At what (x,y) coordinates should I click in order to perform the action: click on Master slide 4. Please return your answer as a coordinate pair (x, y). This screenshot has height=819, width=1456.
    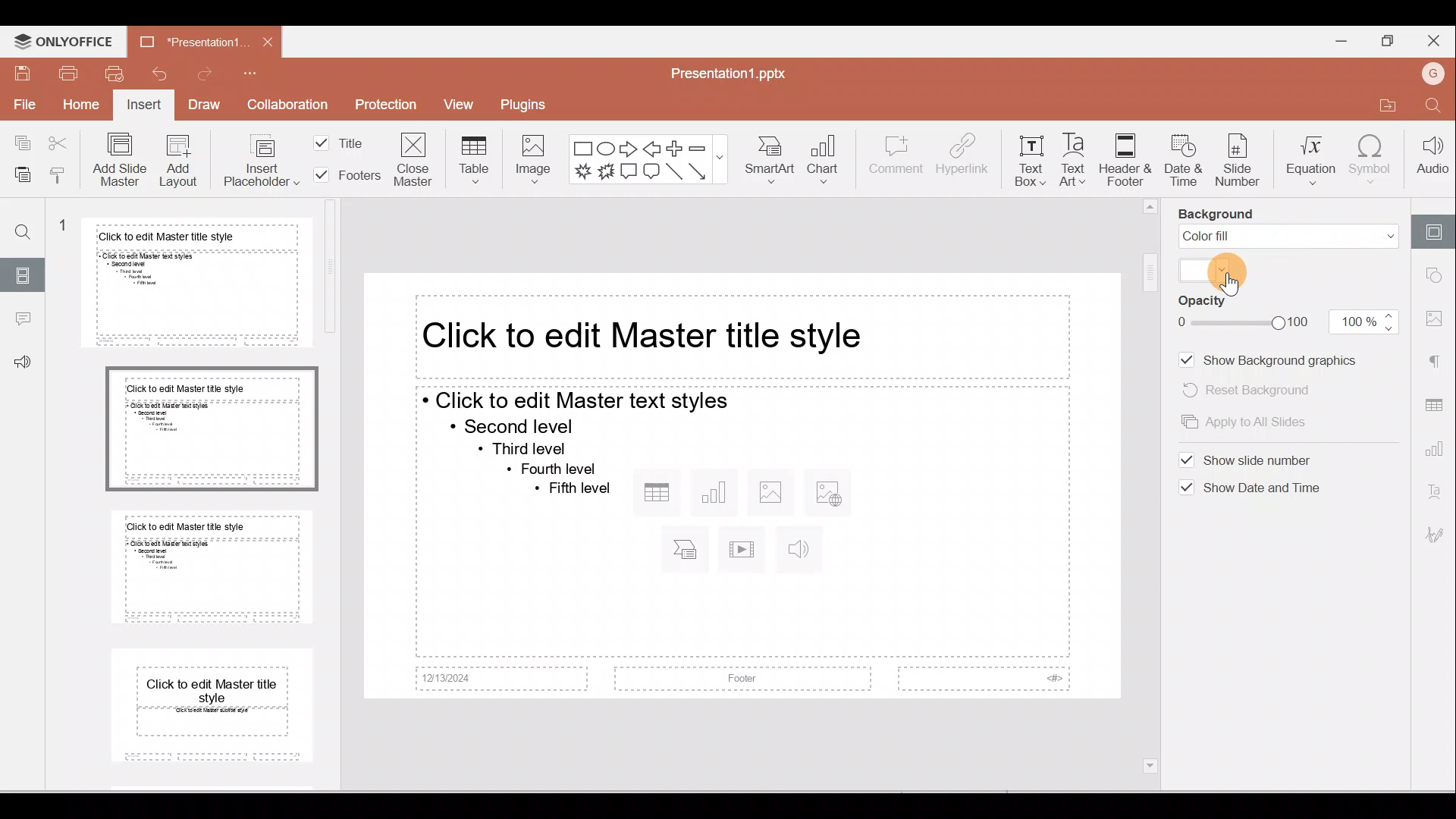
    Looking at the image, I should click on (212, 708).